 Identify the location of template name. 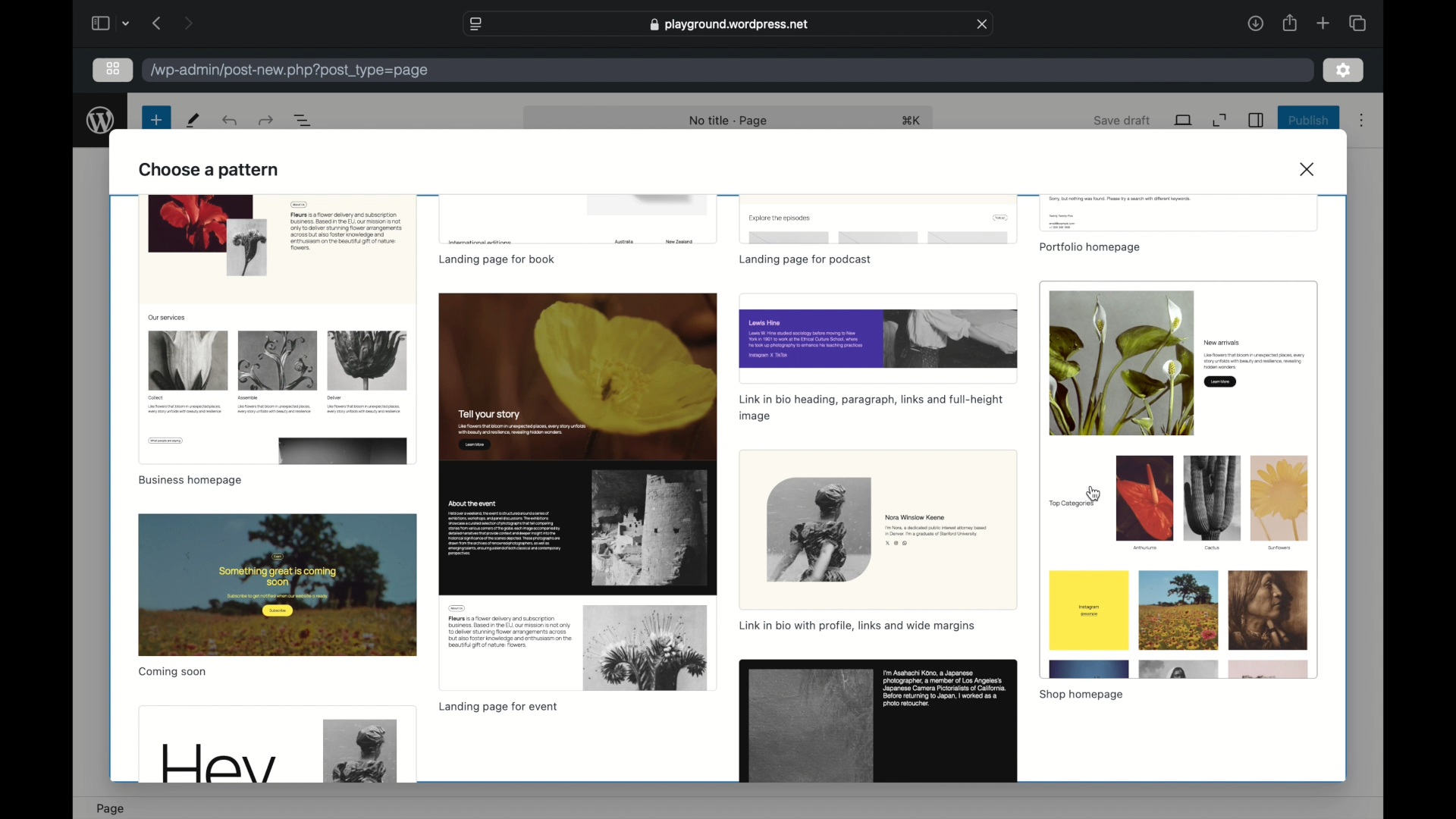
(806, 260).